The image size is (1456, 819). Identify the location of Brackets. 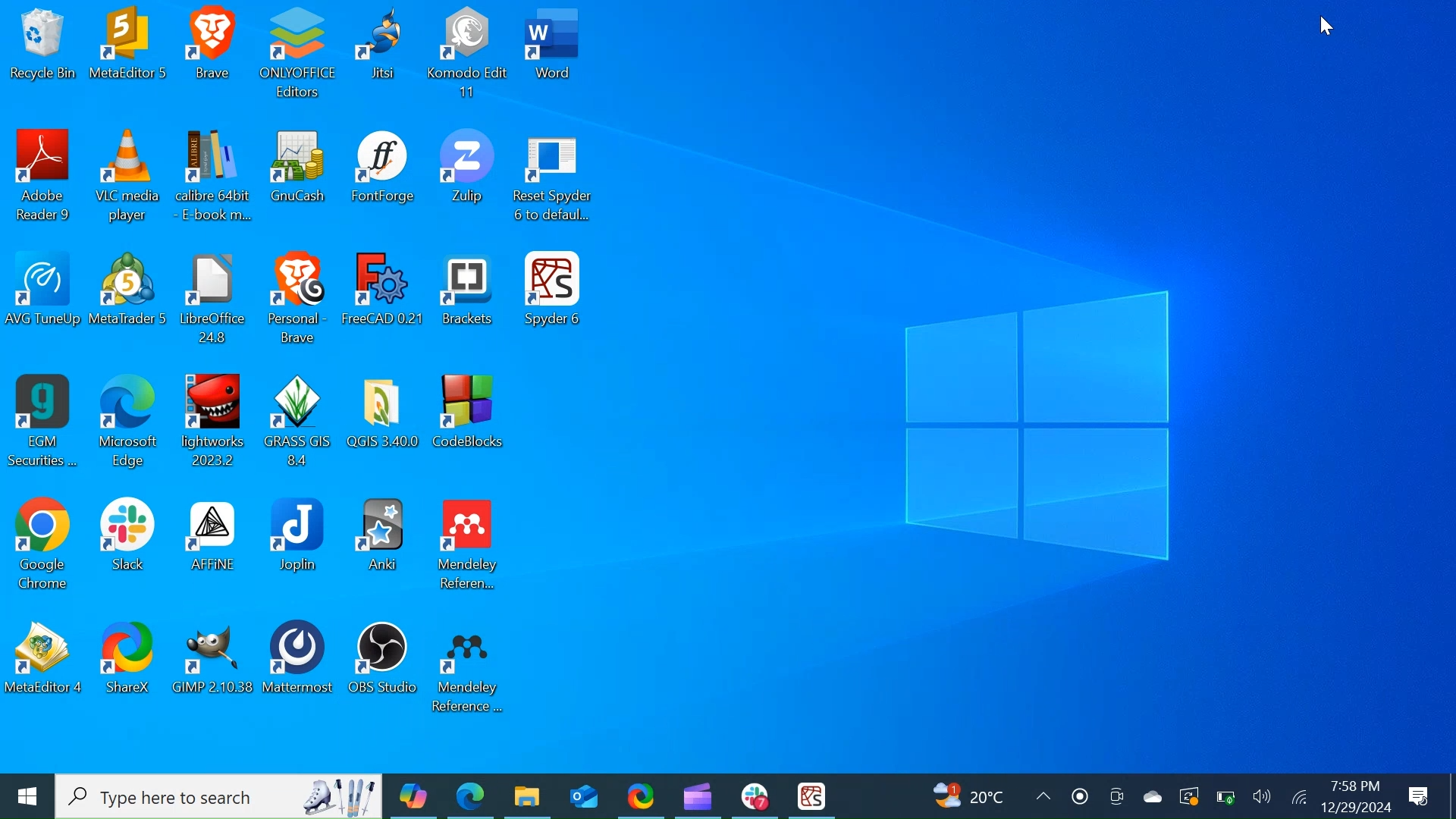
(472, 300).